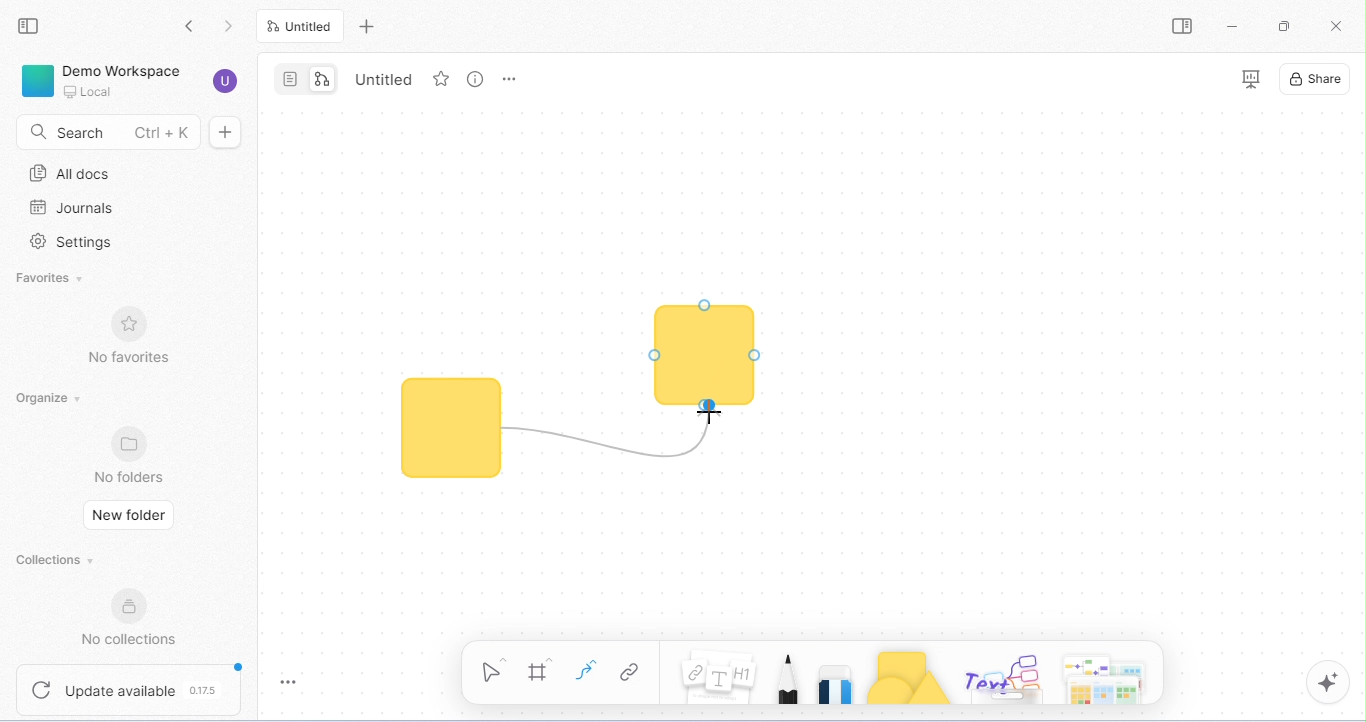 The width and height of the screenshot is (1366, 722). I want to click on page mode, so click(290, 78).